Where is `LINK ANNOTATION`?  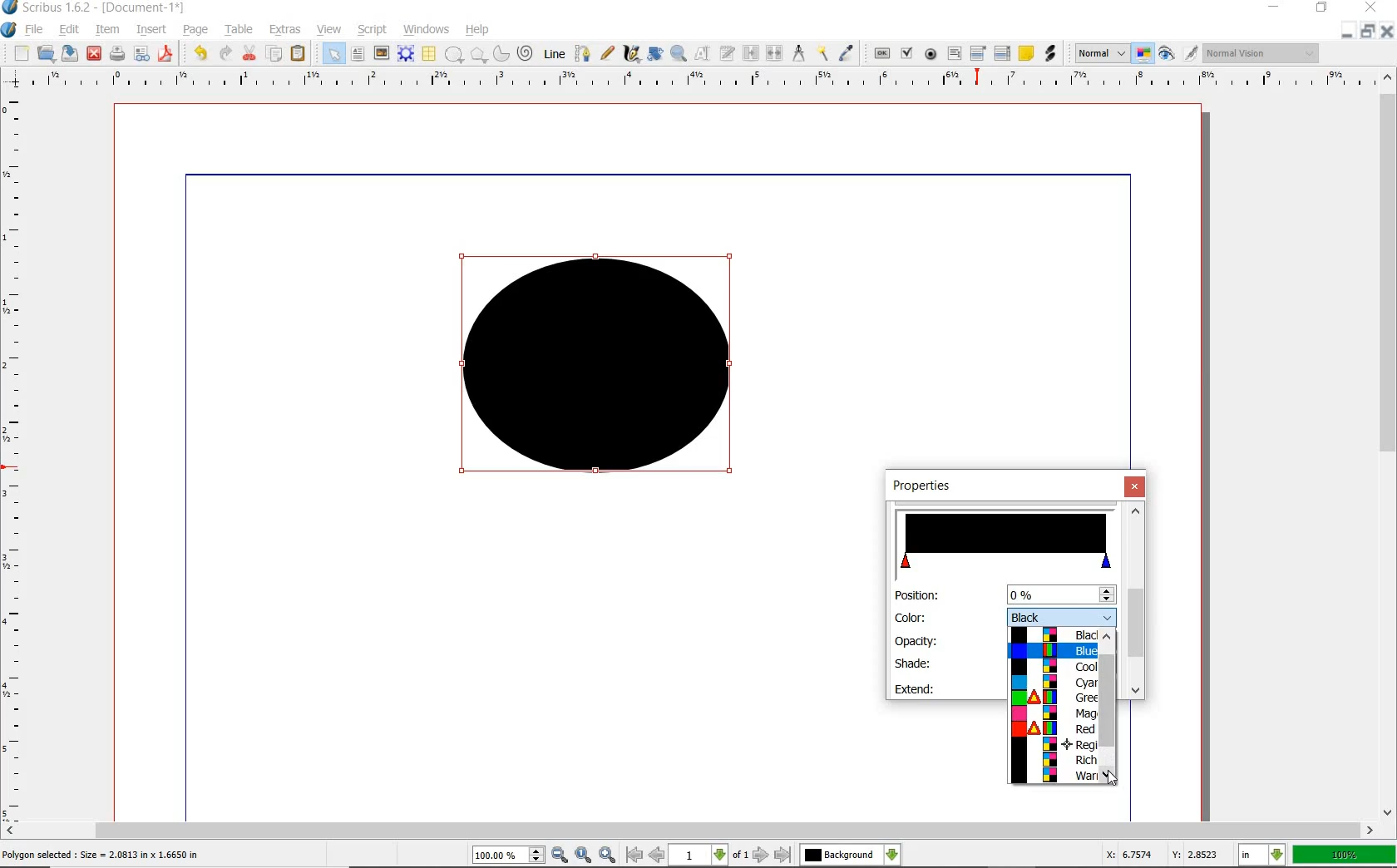 LINK ANNOTATION is located at coordinates (1051, 54).